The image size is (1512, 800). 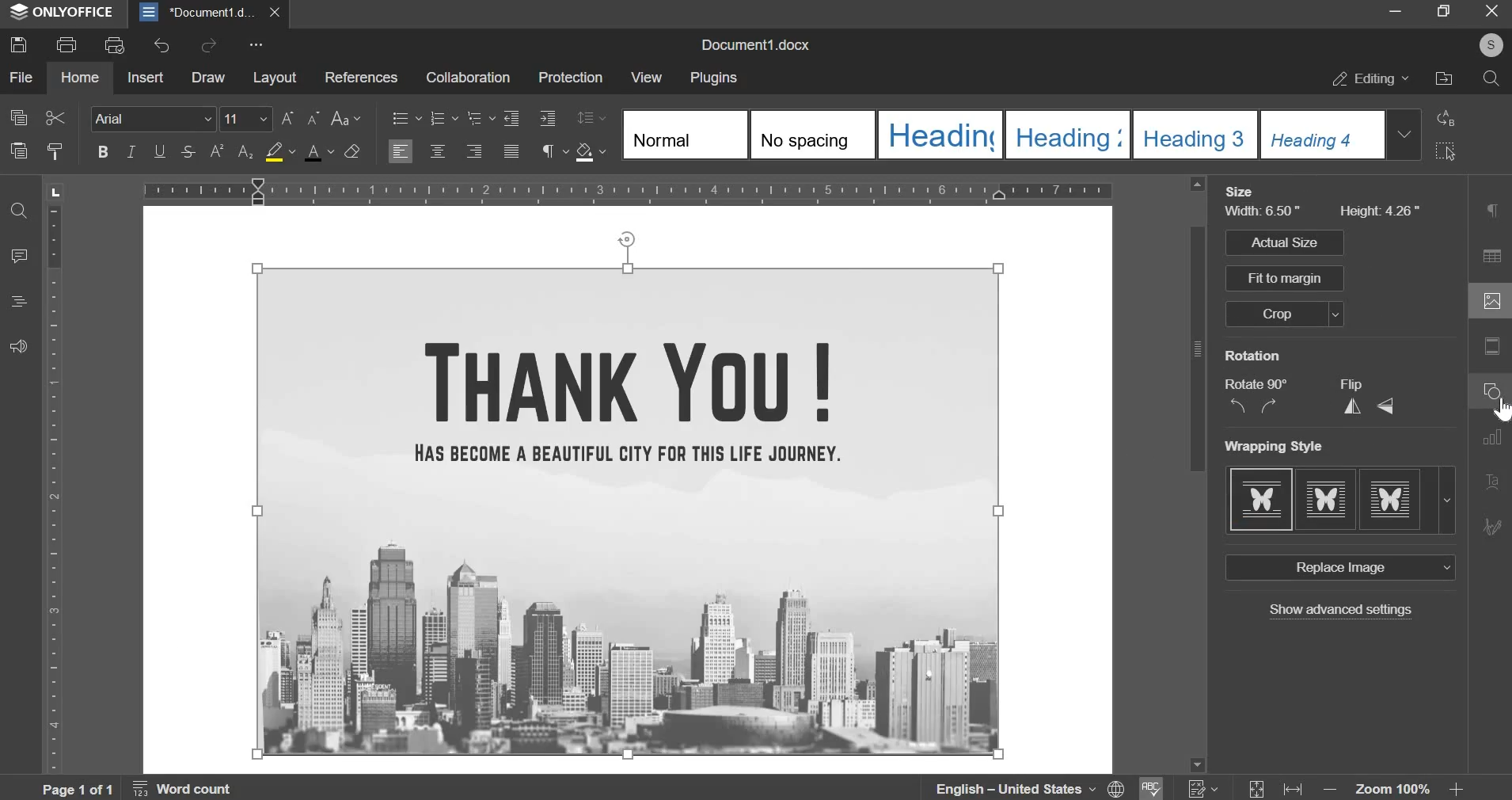 I want to click on feedback, so click(x=17, y=345).